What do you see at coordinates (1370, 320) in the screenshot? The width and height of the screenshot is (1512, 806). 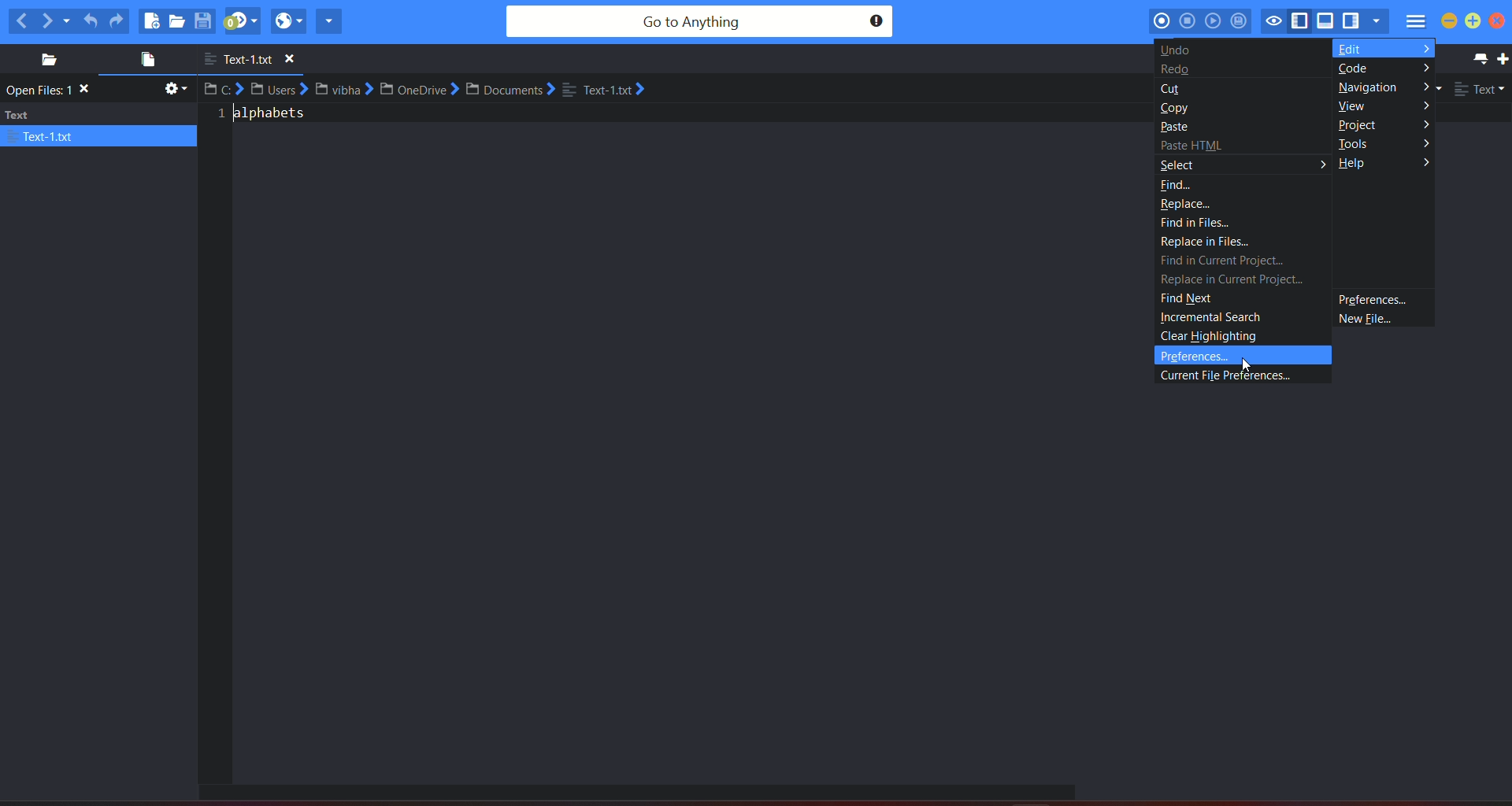 I see `new file` at bounding box center [1370, 320].